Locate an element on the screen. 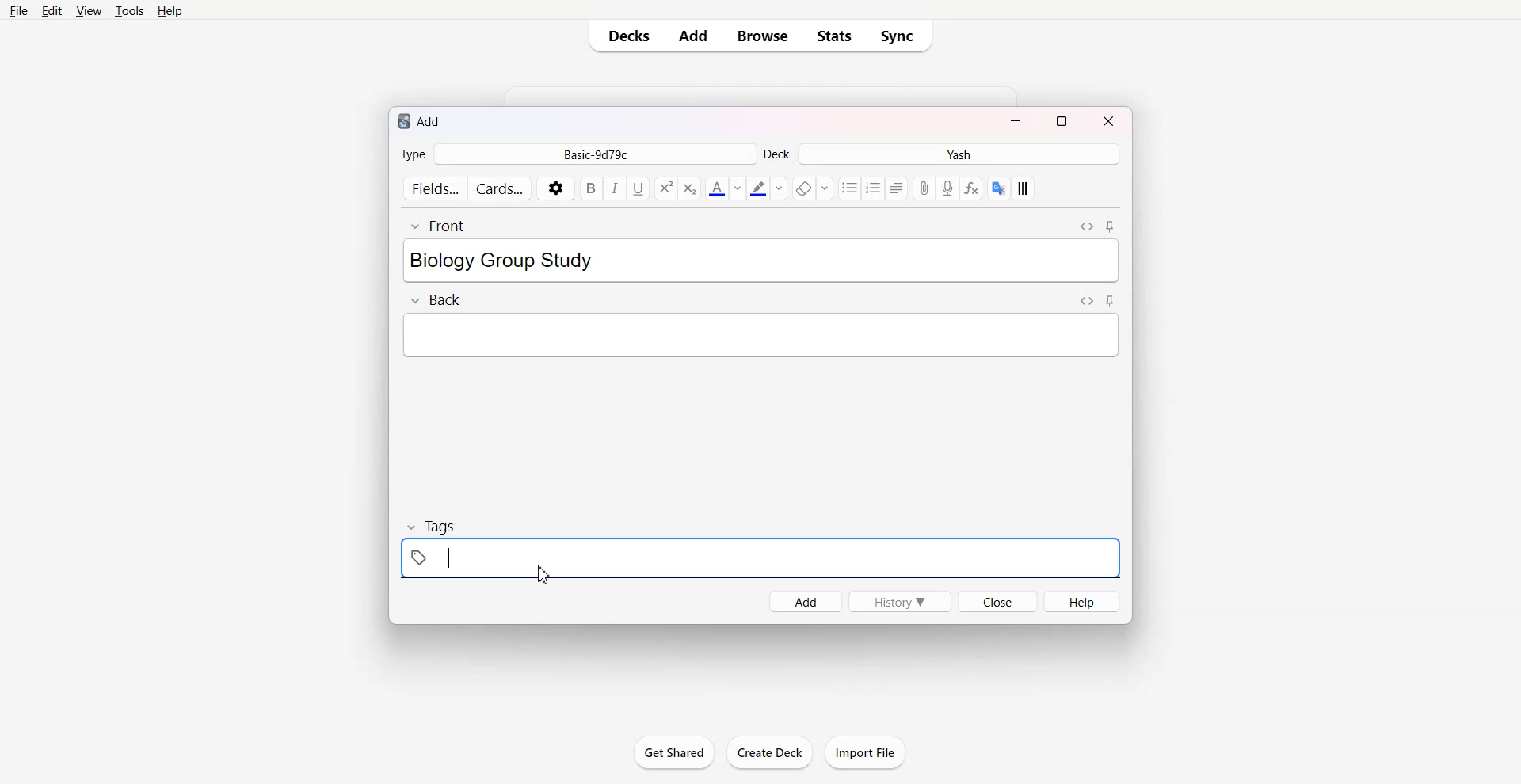 This screenshot has height=784, width=1521. Decks is located at coordinates (626, 36).